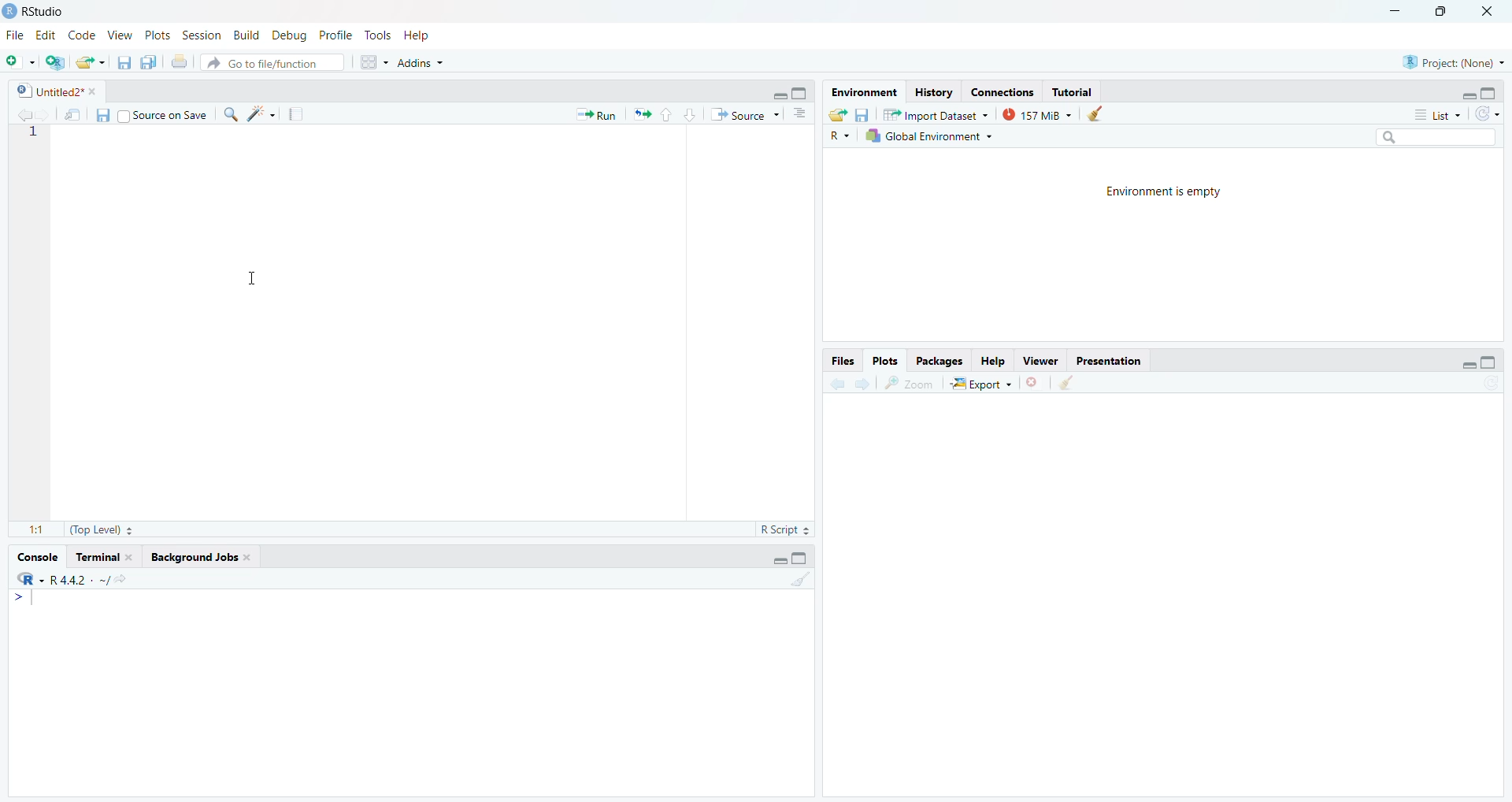 The width and height of the screenshot is (1512, 802). What do you see at coordinates (36, 11) in the screenshot?
I see `RStudio` at bounding box center [36, 11].